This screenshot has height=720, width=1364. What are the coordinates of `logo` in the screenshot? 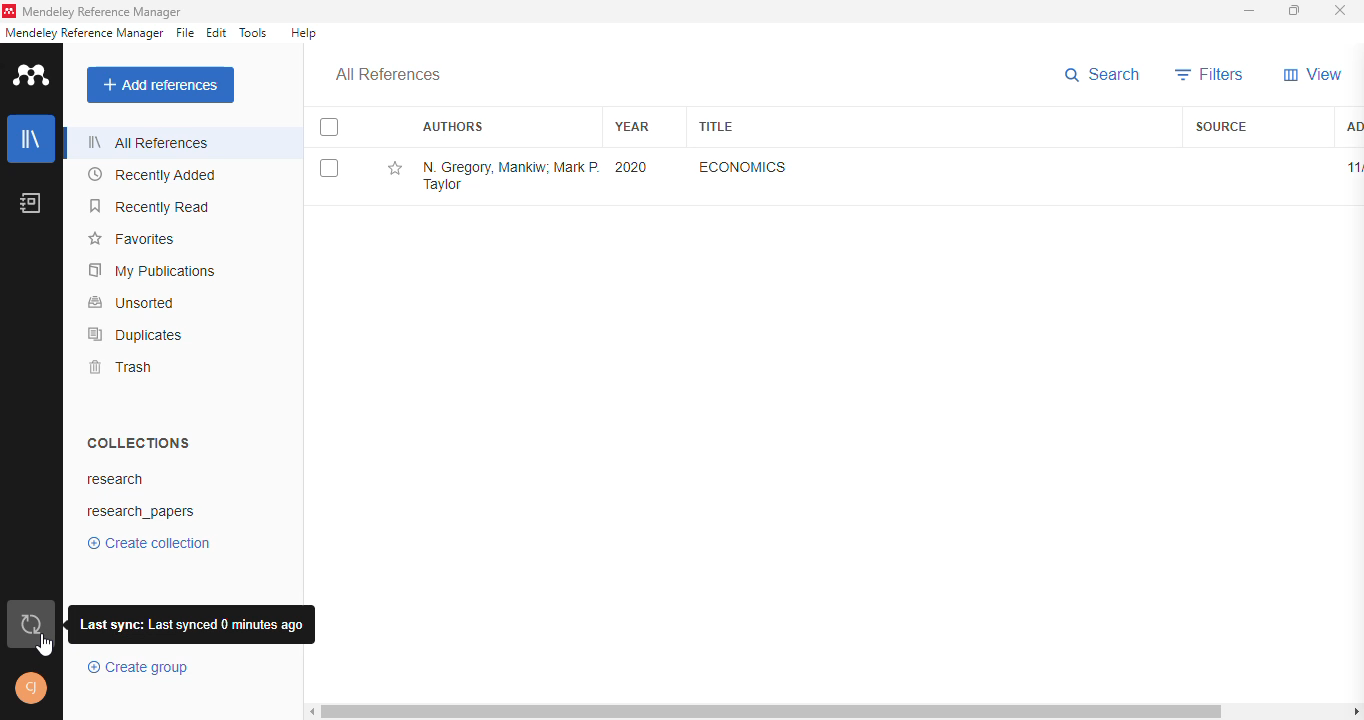 It's located at (9, 11).